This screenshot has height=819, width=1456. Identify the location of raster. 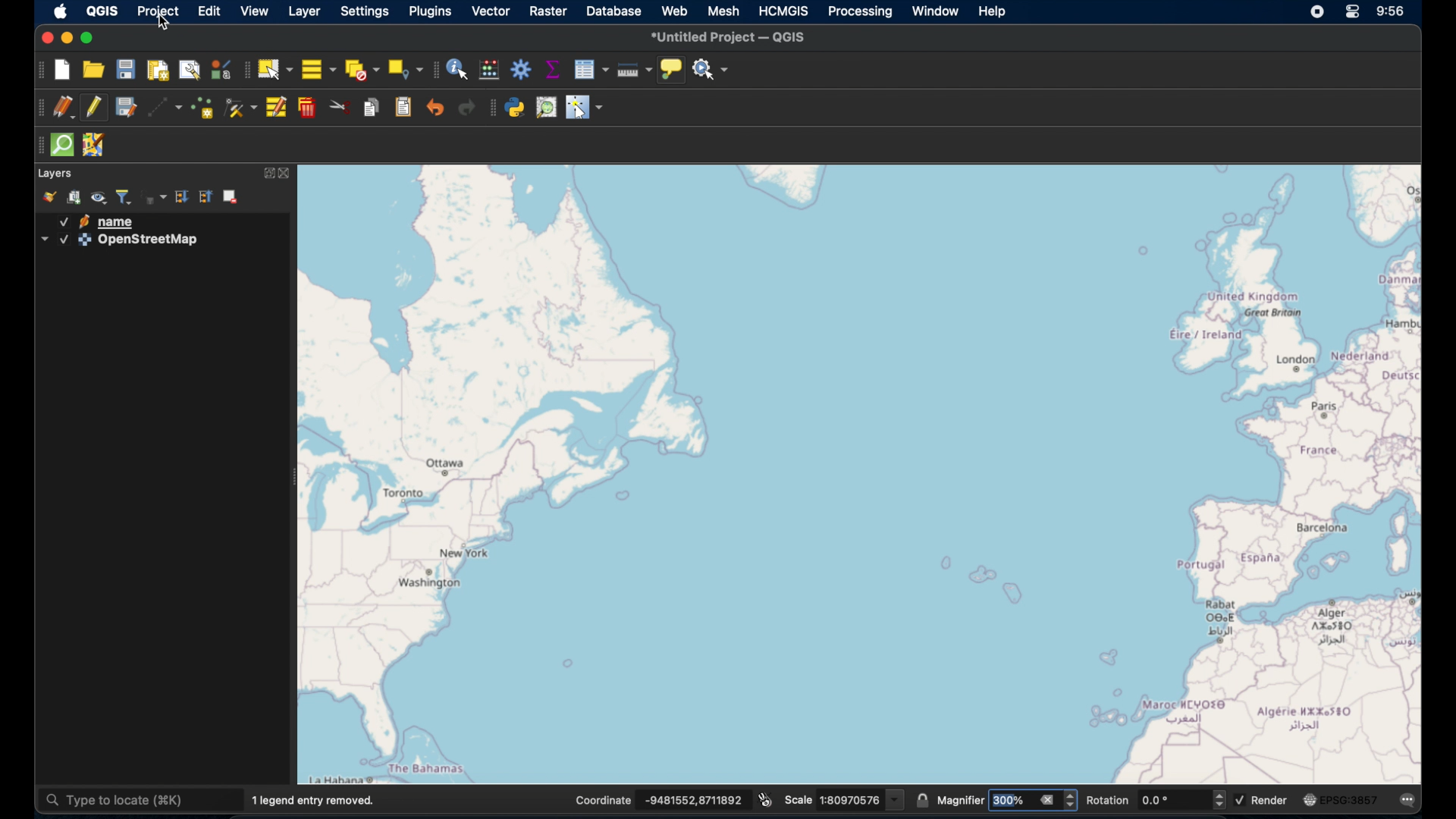
(548, 11).